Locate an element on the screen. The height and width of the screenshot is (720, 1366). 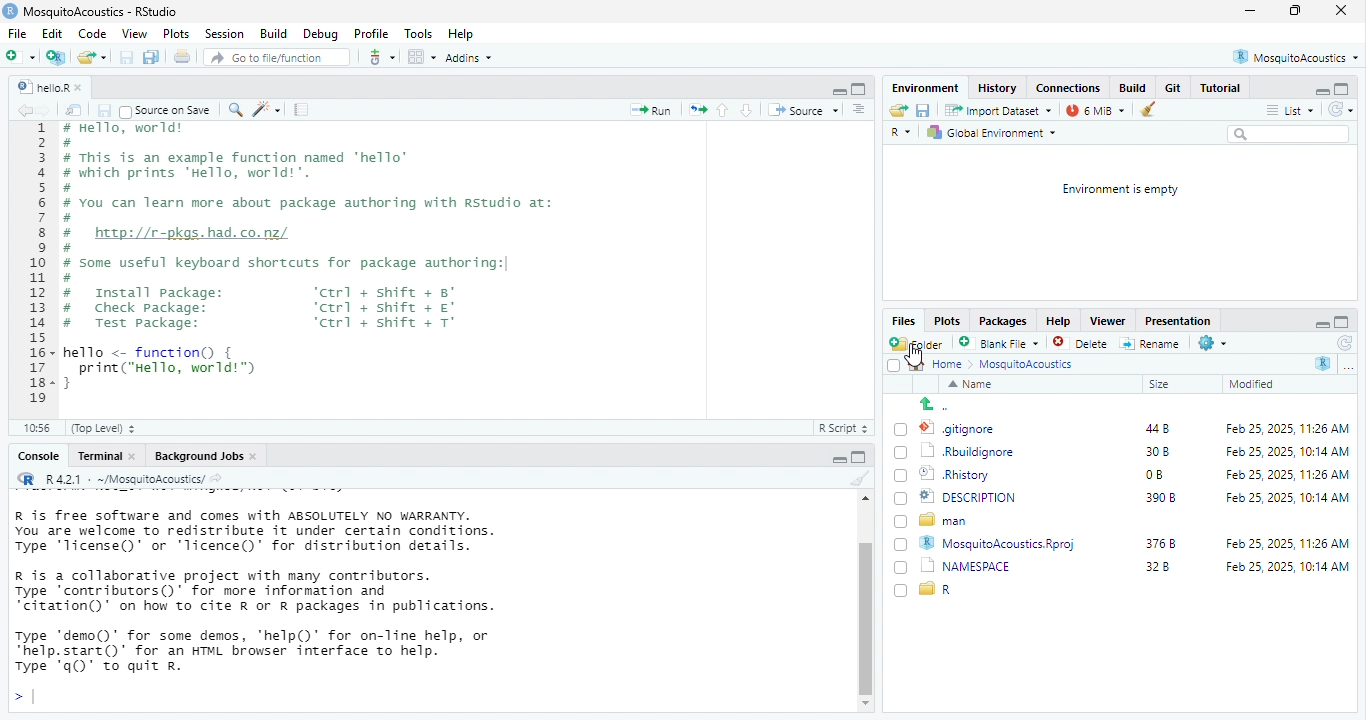
new file is located at coordinates (23, 56).